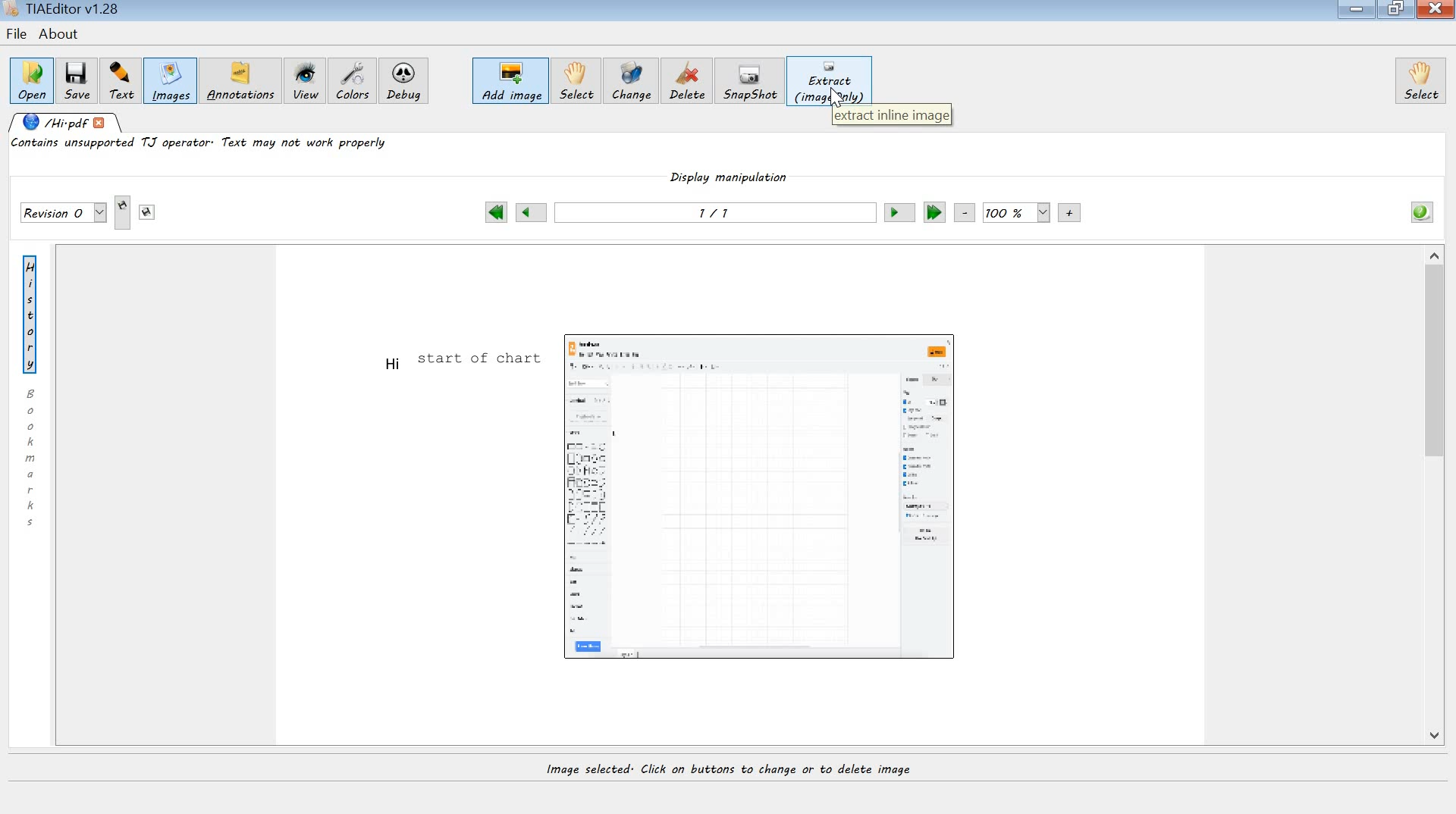 The image size is (1456, 814). I want to click on file, so click(16, 34).